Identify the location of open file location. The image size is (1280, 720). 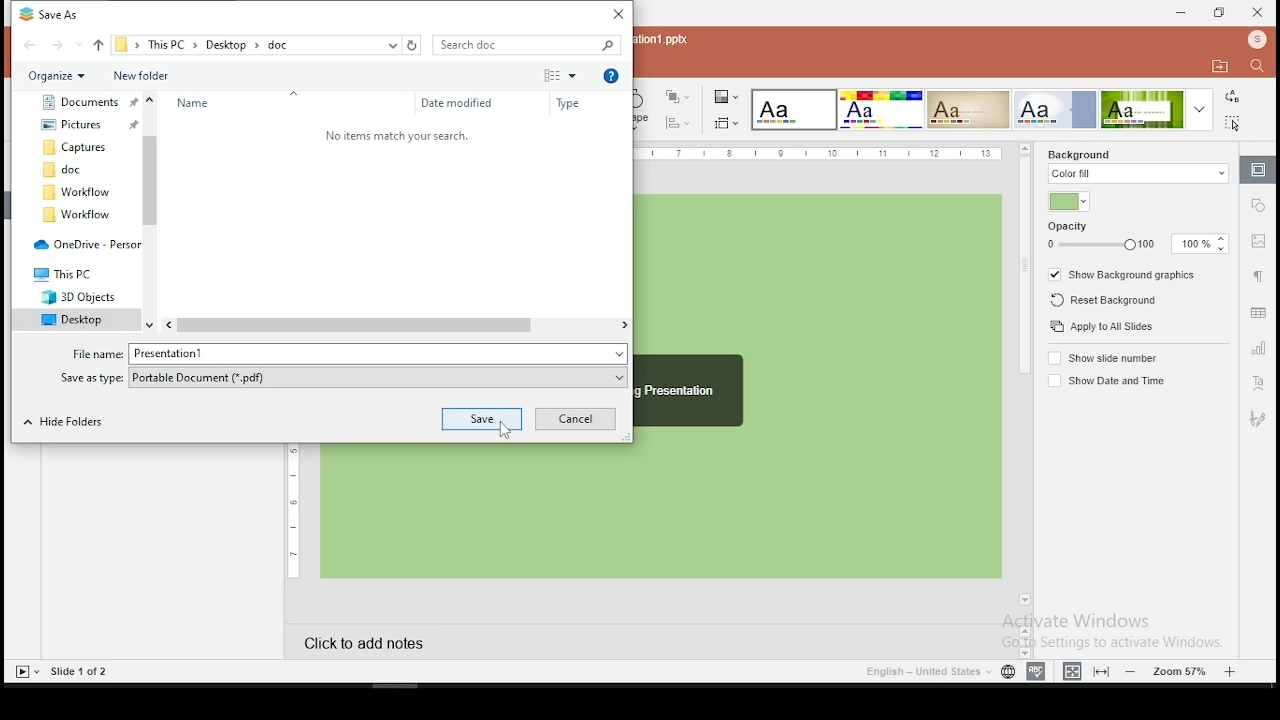
(1220, 67).